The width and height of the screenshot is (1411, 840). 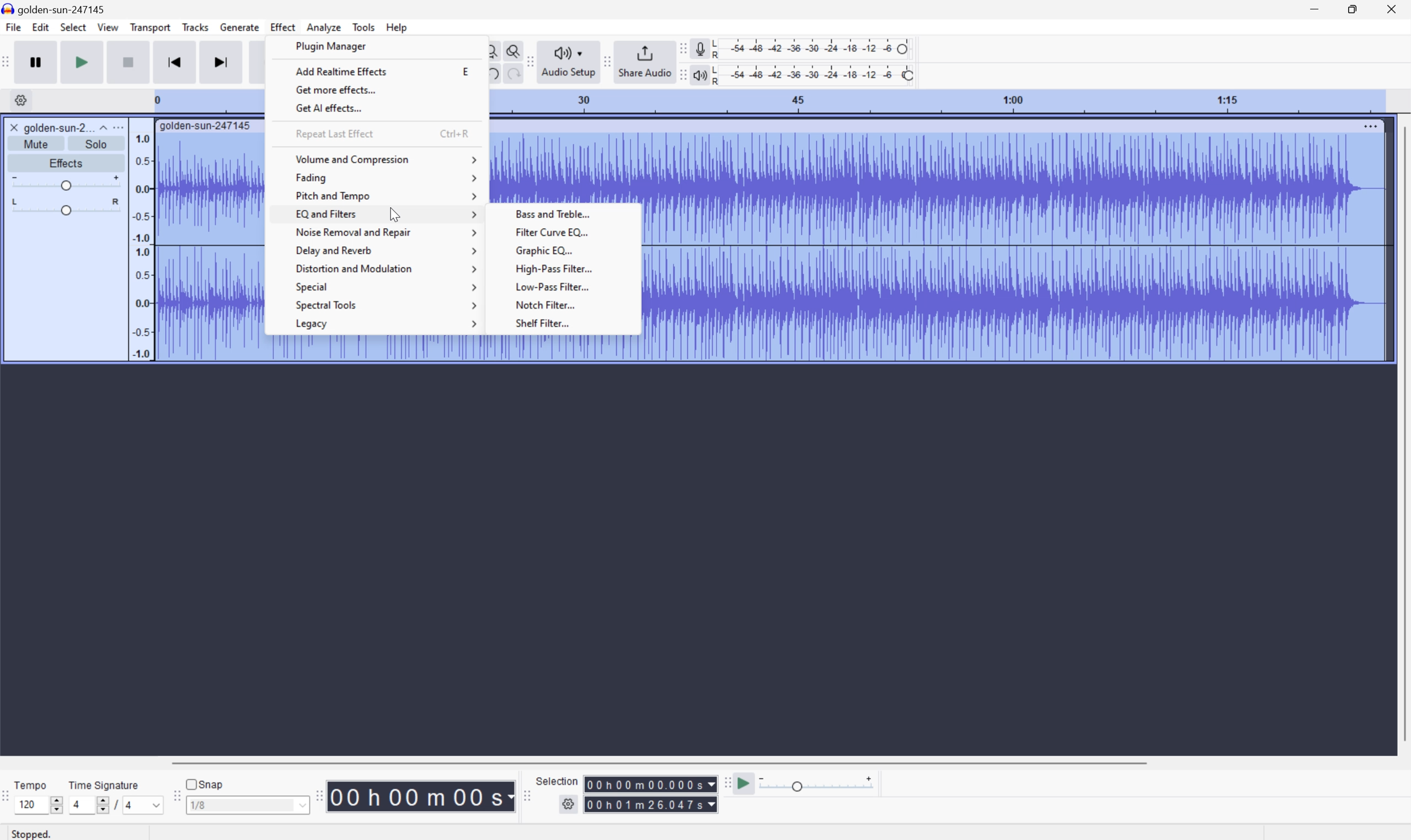 I want to click on Pause, so click(x=40, y=62).